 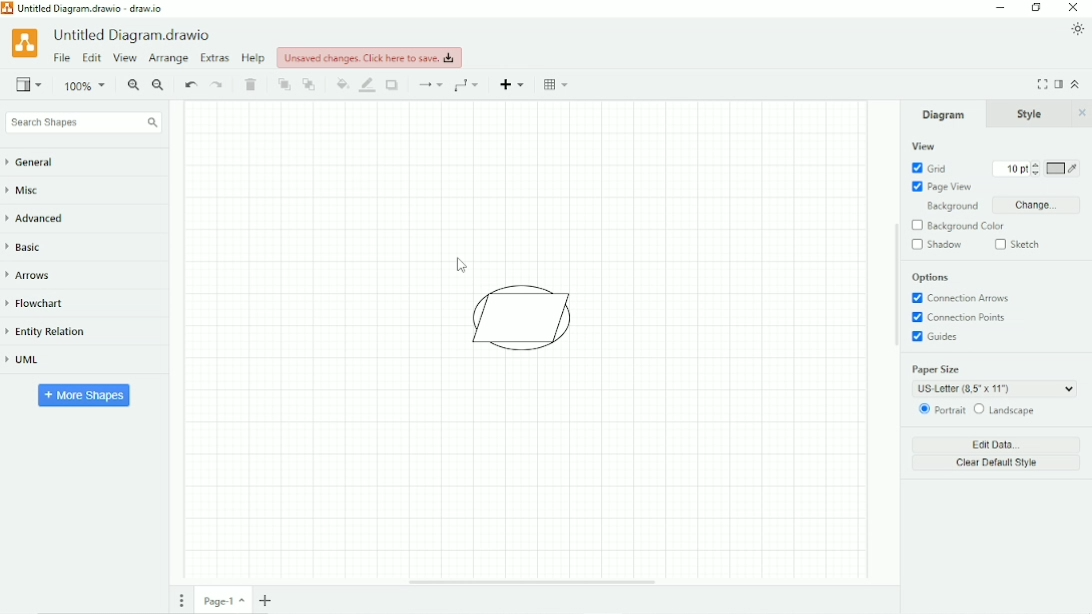 What do you see at coordinates (1074, 8) in the screenshot?
I see `Close` at bounding box center [1074, 8].